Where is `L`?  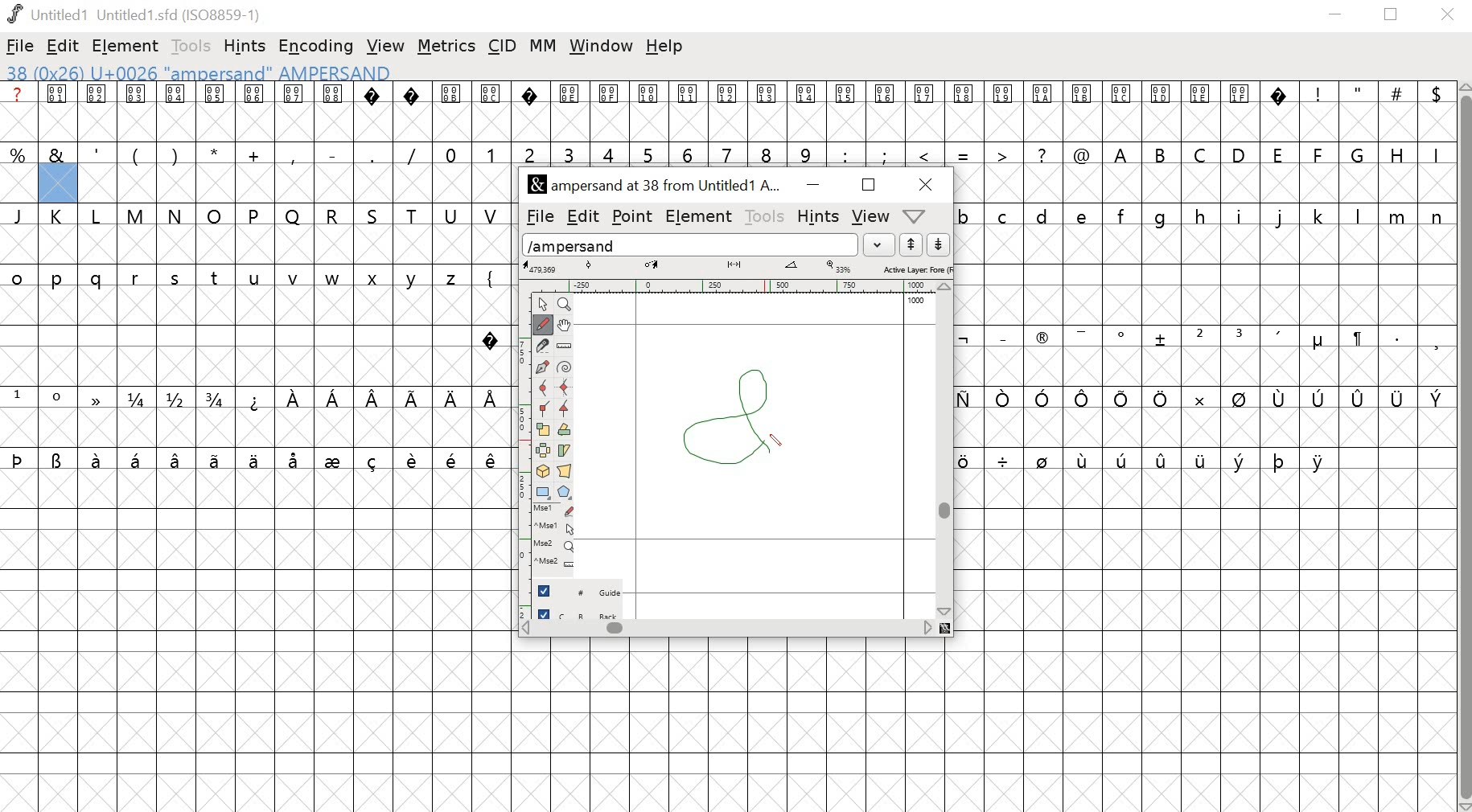 L is located at coordinates (99, 216).